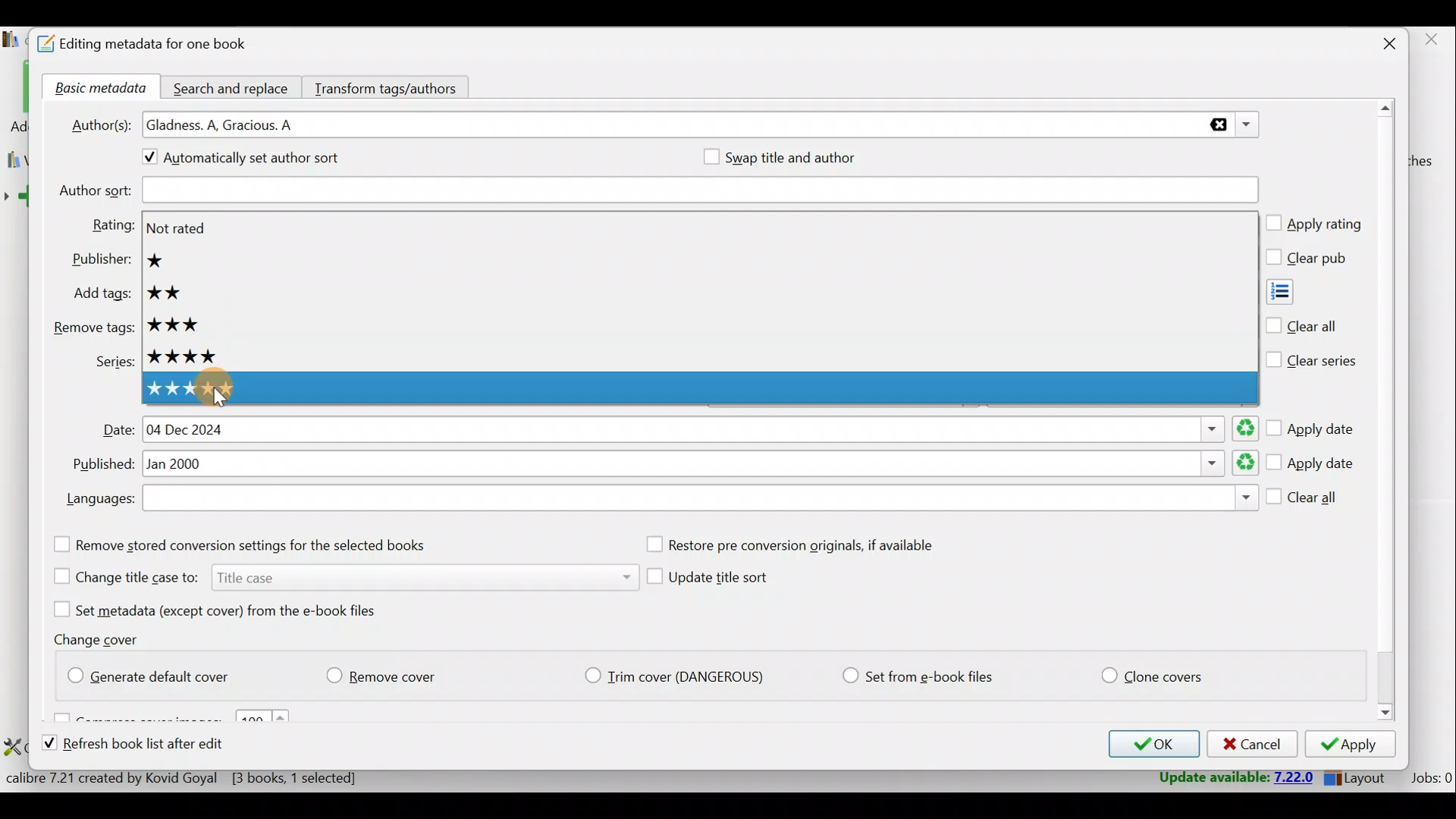 This screenshot has height=819, width=1456. Describe the element at coordinates (1294, 292) in the screenshot. I see `Add tags` at that location.